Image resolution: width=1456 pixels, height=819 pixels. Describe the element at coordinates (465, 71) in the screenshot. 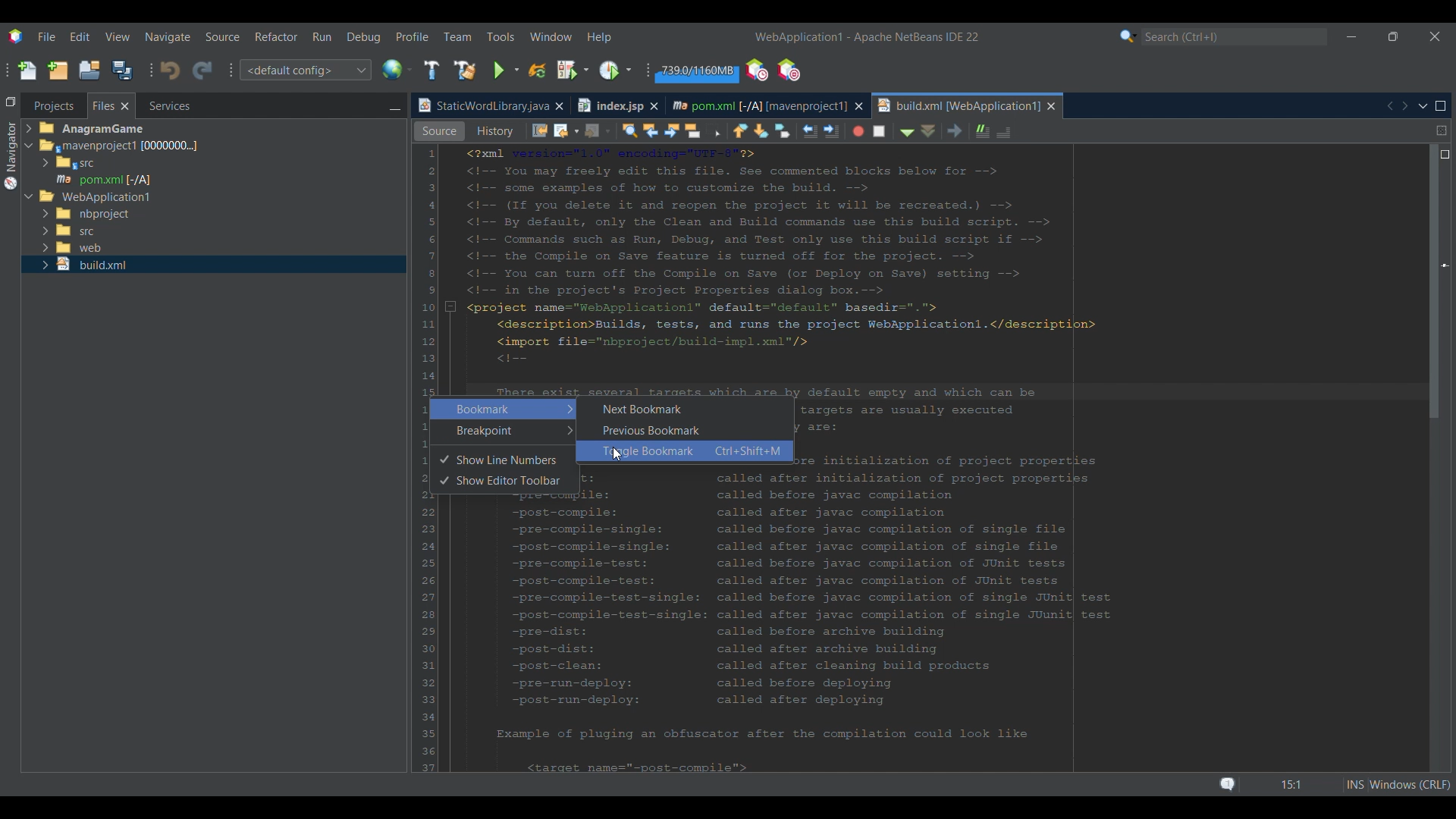

I see `Clean and build main project` at that location.